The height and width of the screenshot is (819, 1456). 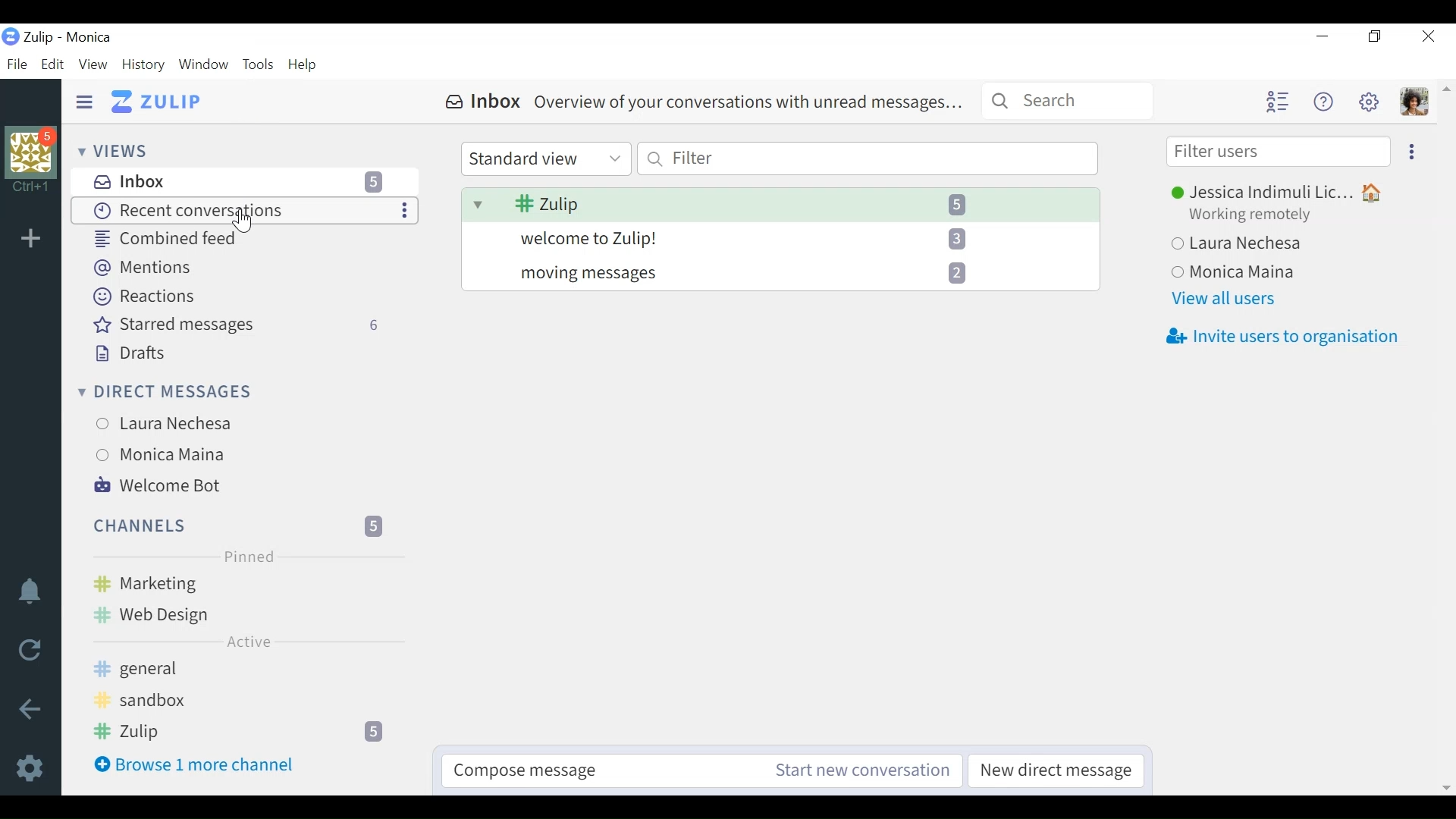 What do you see at coordinates (406, 211) in the screenshot?
I see `Ellipsis` at bounding box center [406, 211].